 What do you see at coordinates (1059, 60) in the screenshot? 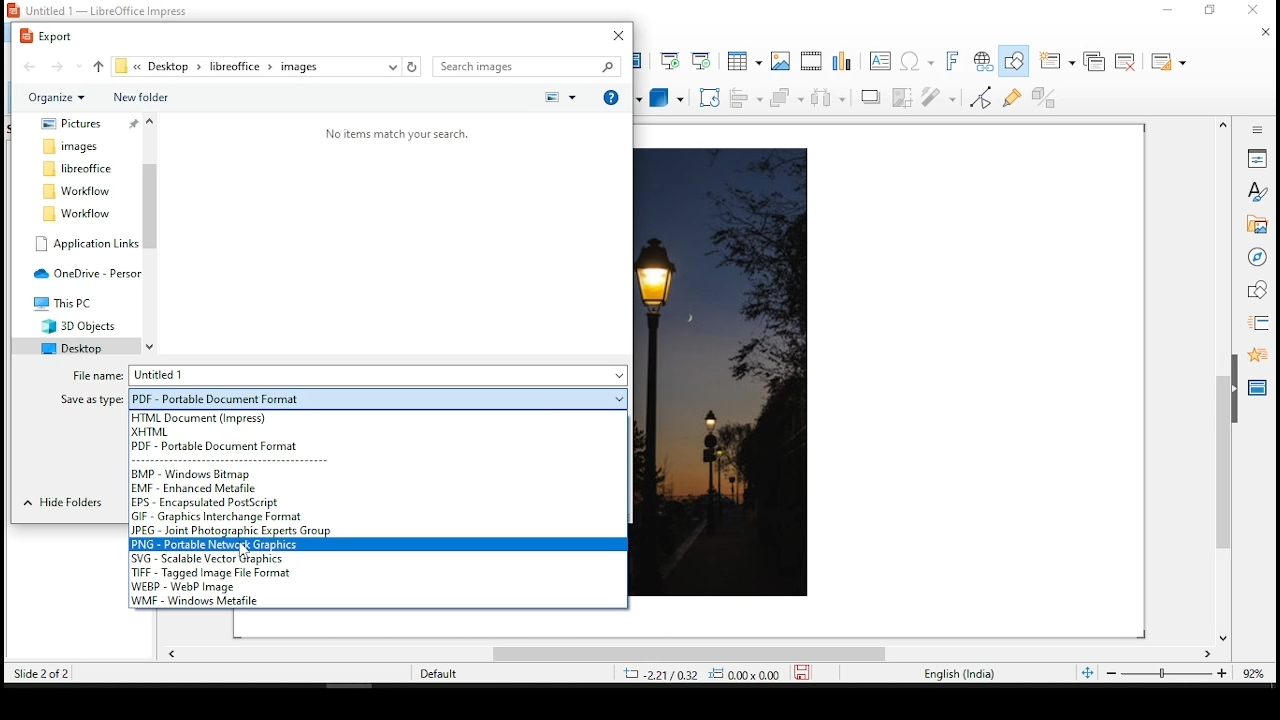
I see `new slide` at bounding box center [1059, 60].